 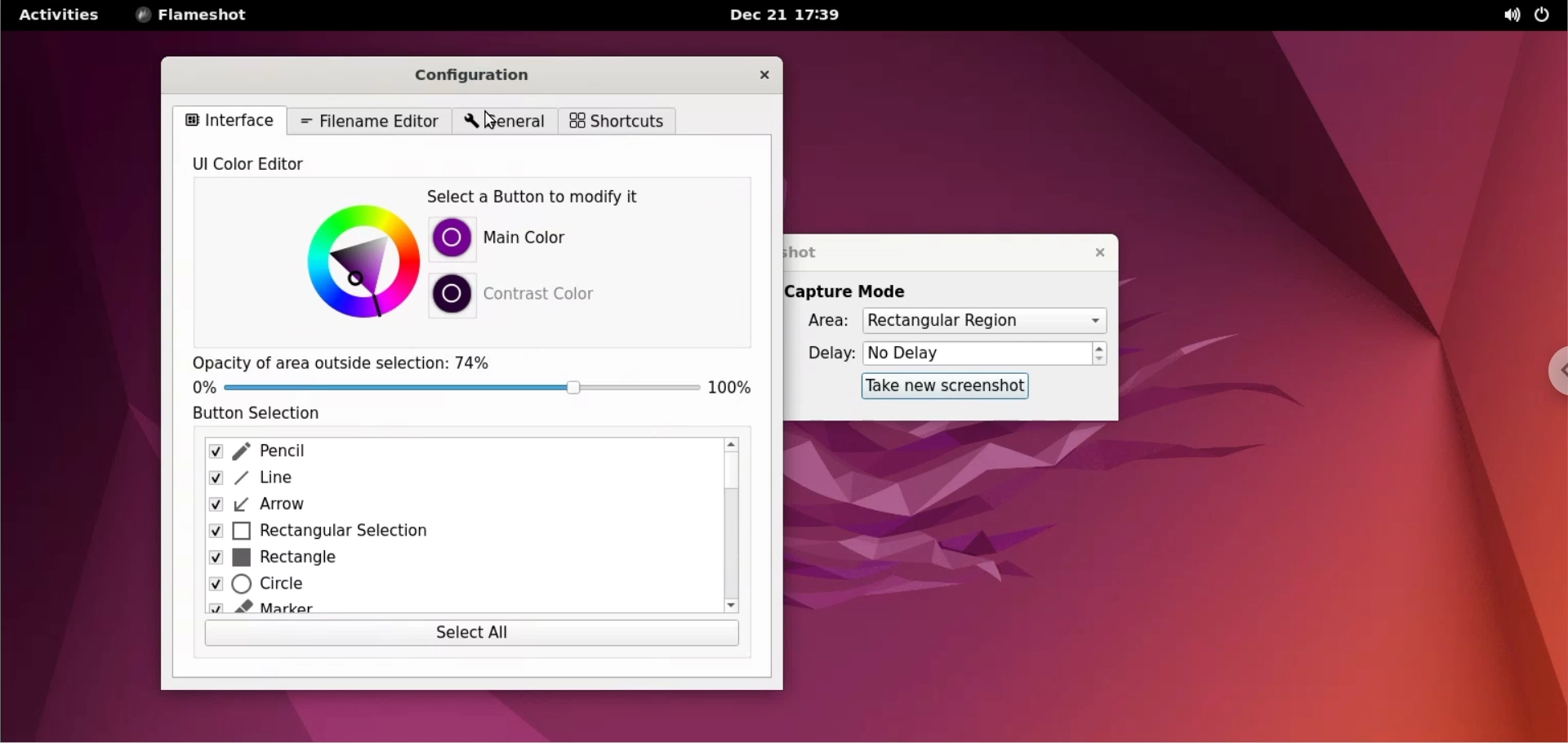 What do you see at coordinates (462, 386) in the screenshot?
I see `opacity slider` at bounding box center [462, 386].